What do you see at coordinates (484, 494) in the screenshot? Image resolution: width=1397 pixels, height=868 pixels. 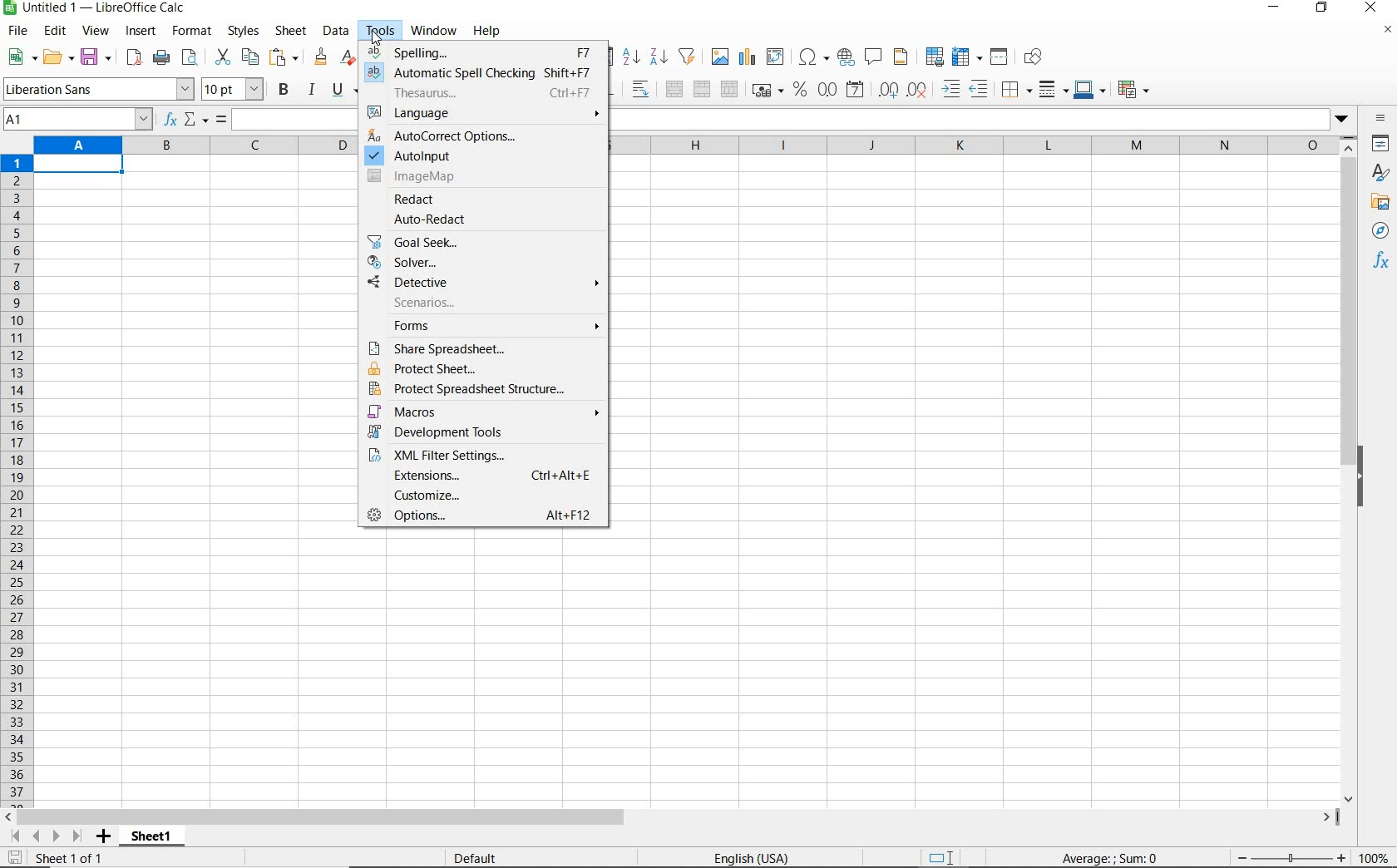 I see `customize` at bounding box center [484, 494].